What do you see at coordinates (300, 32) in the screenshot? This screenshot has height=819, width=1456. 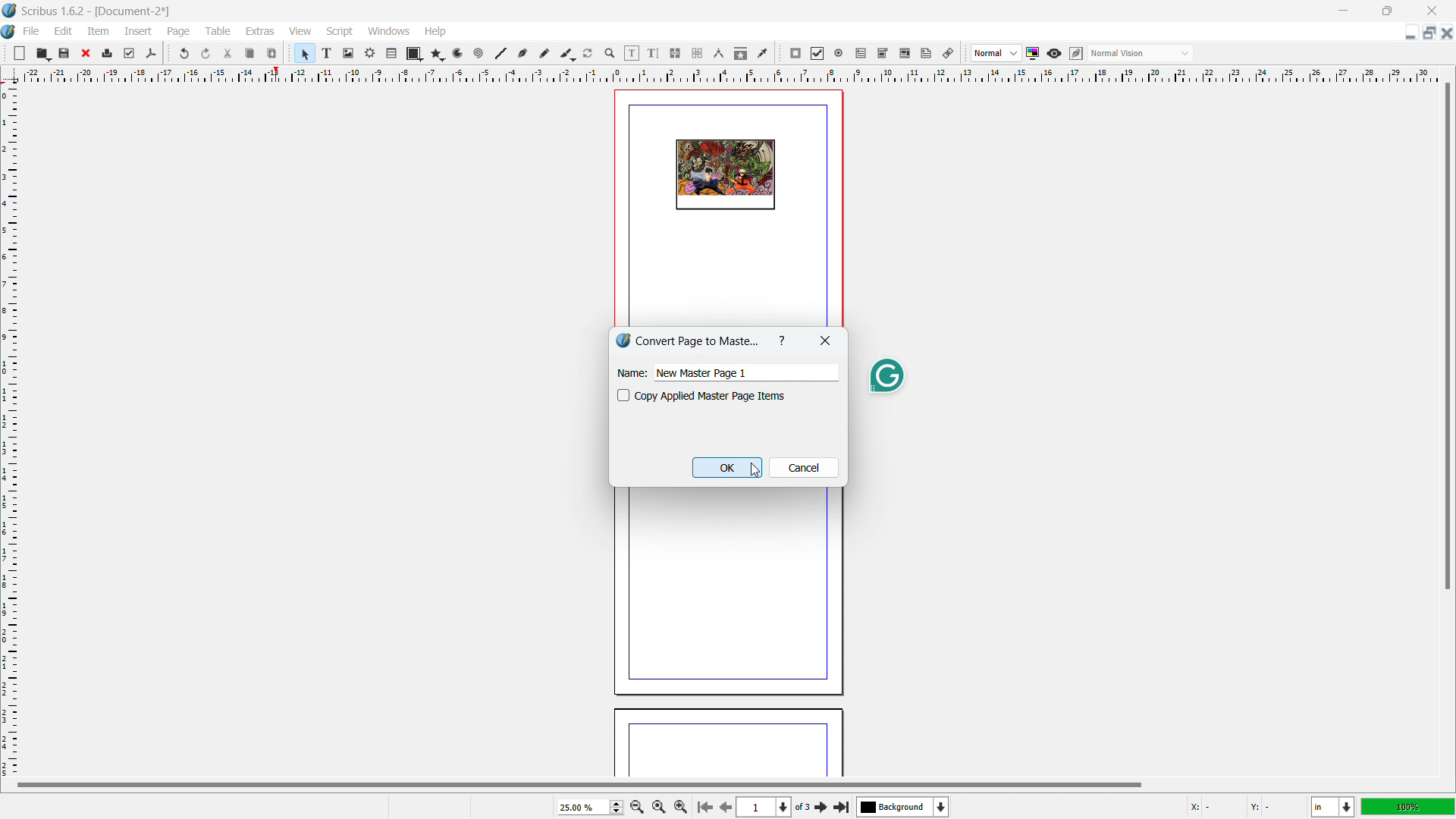 I see `view` at bounding box center [300, 32].